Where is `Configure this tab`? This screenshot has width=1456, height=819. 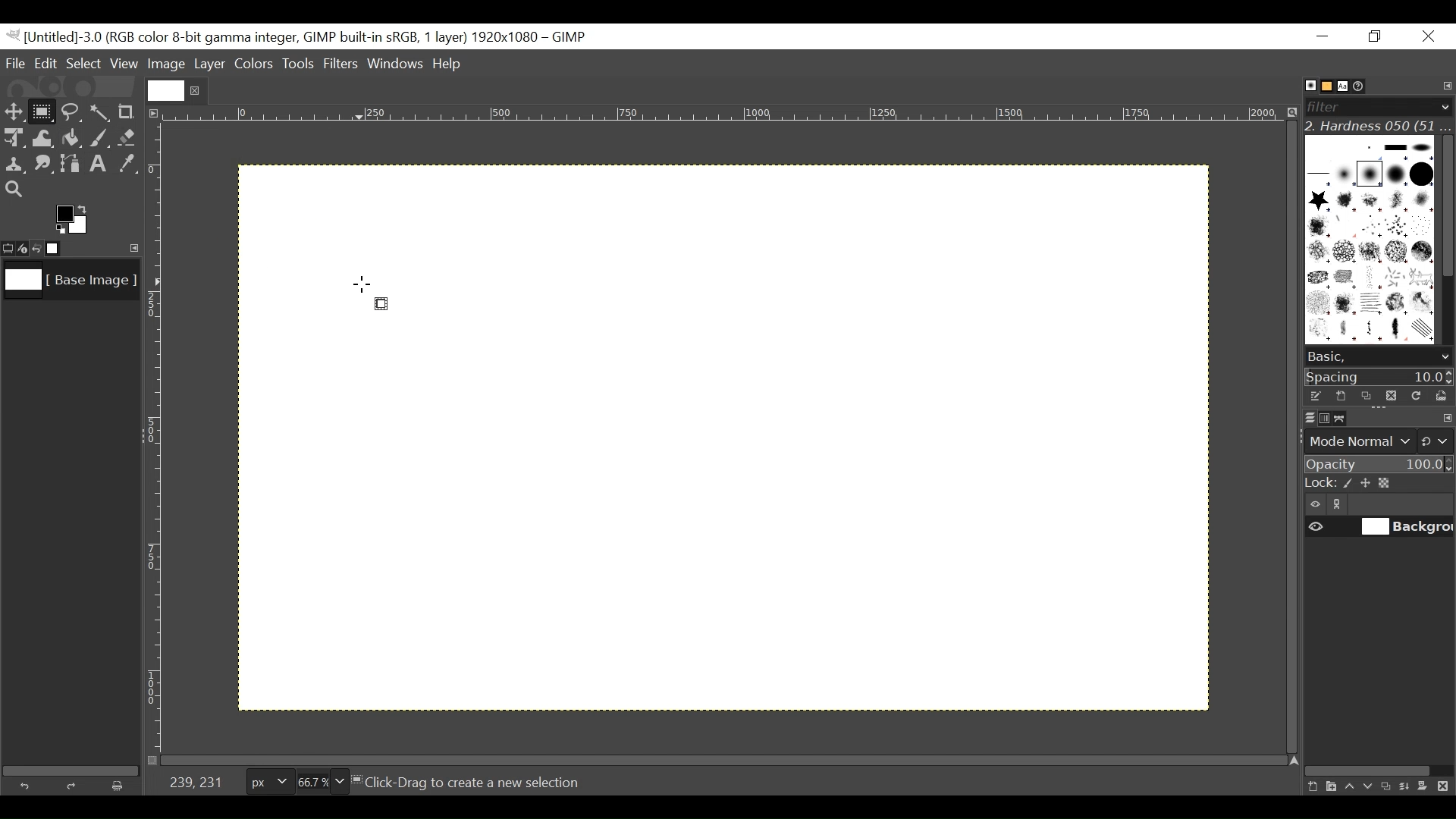 Configure this tab is located at coordinates (131, 247).